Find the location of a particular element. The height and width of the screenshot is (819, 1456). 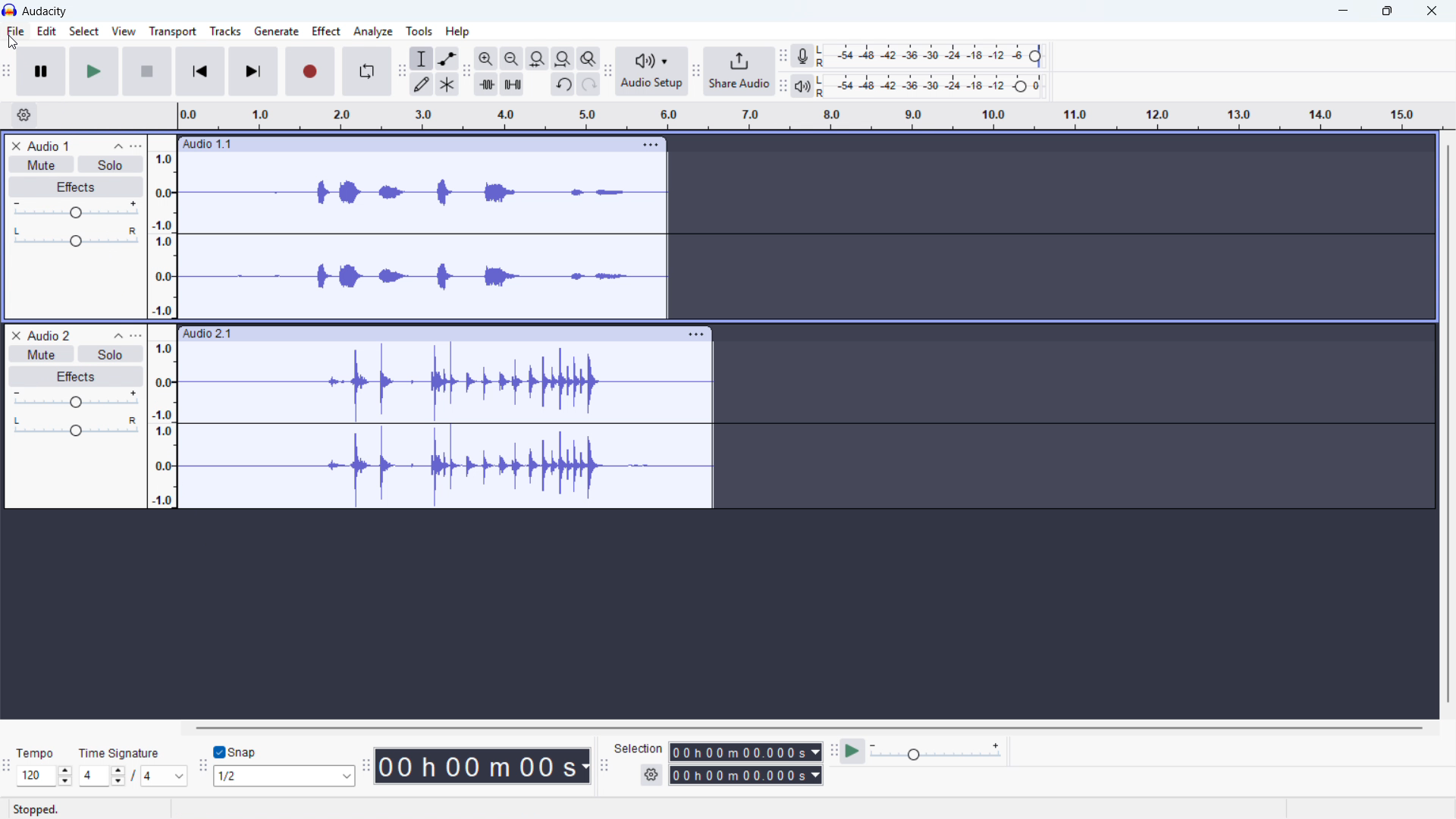

 Playback metre is located at coordinates (803, 86).